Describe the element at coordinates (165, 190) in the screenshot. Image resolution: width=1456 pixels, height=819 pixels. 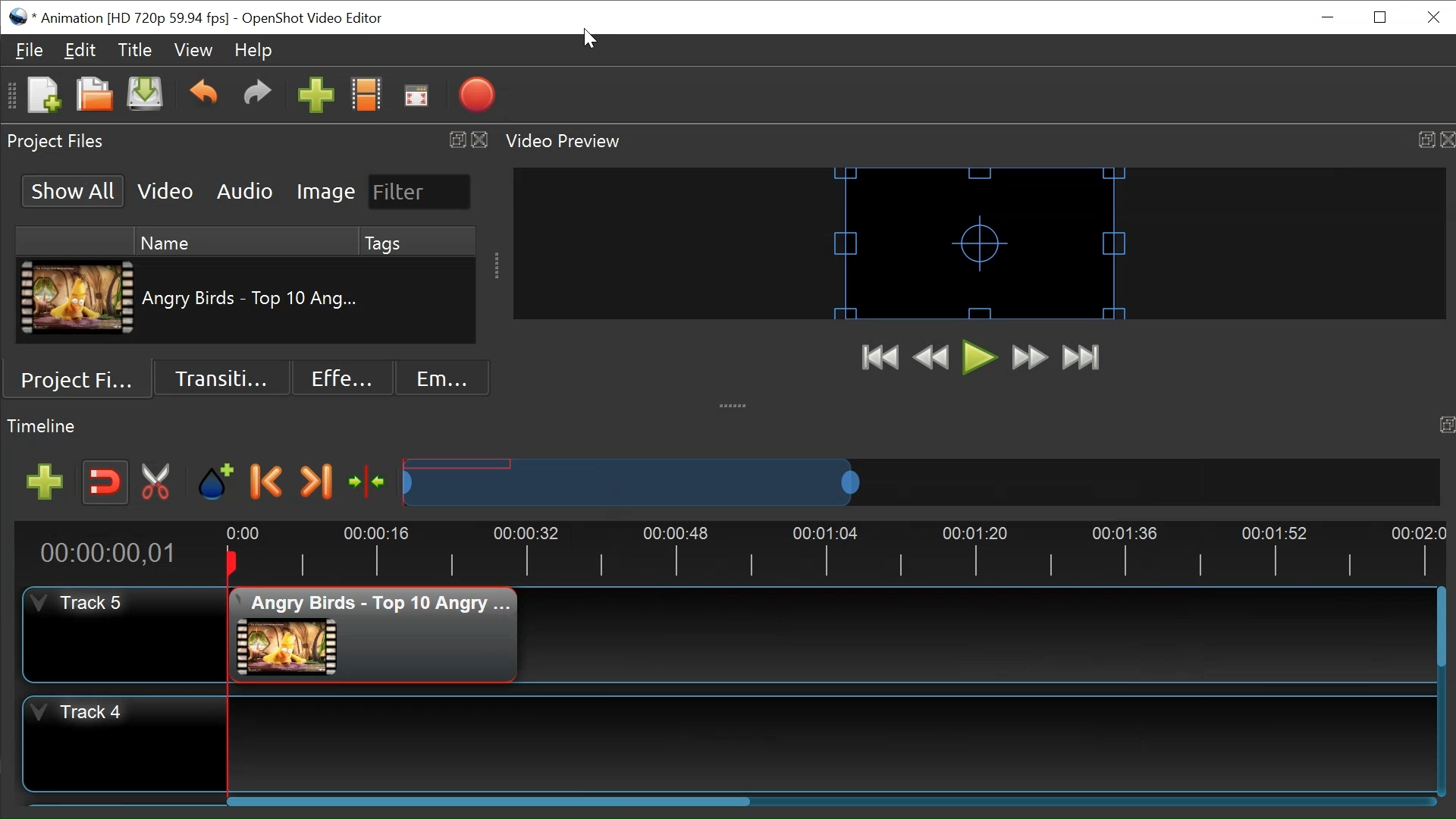
I see `Video` at that location.